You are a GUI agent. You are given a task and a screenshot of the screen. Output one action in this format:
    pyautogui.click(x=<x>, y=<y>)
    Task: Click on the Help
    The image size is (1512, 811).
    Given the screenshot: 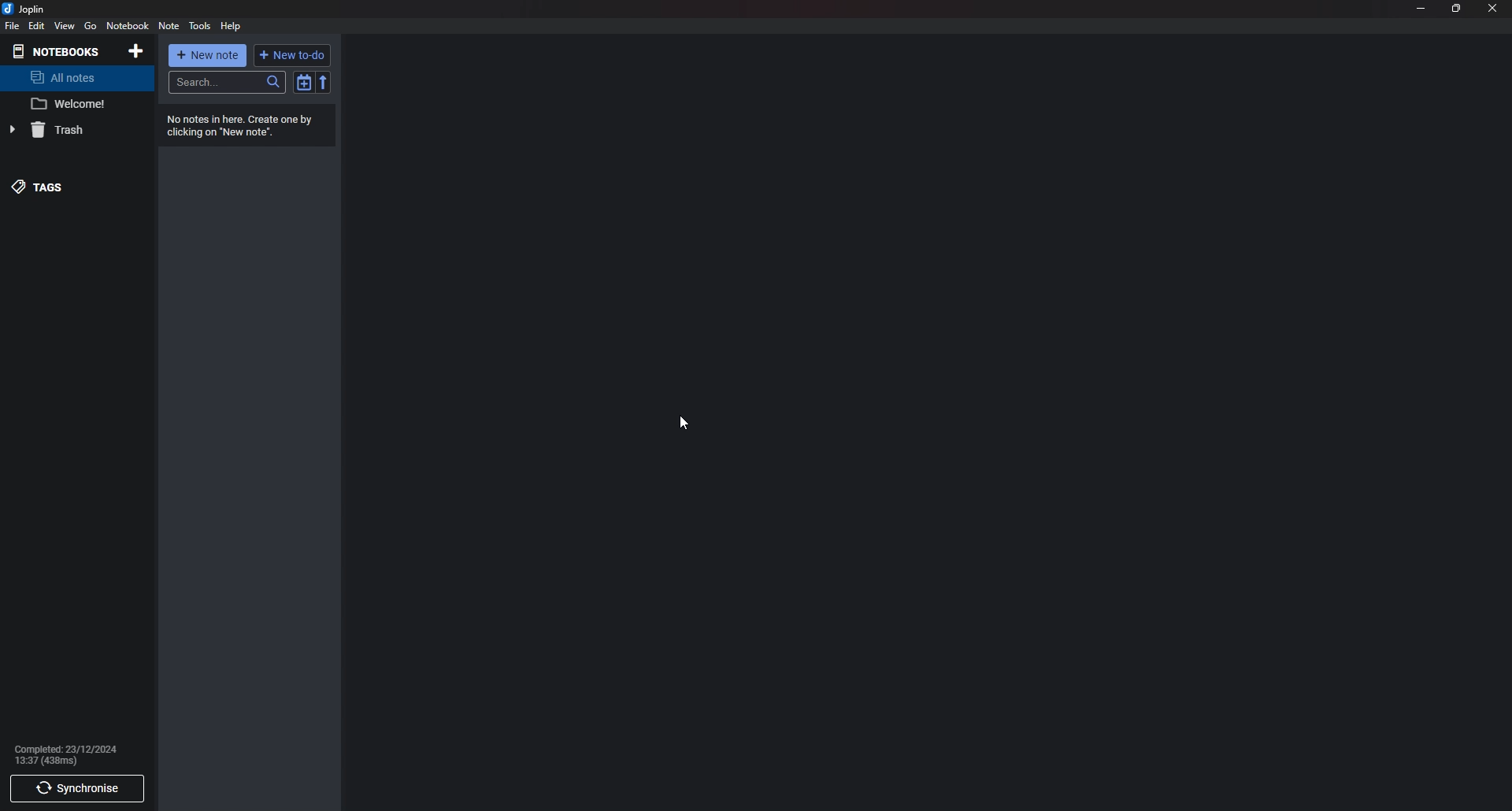 What is the action you would take?
    pyautogui.click(x=231, y=27)
    